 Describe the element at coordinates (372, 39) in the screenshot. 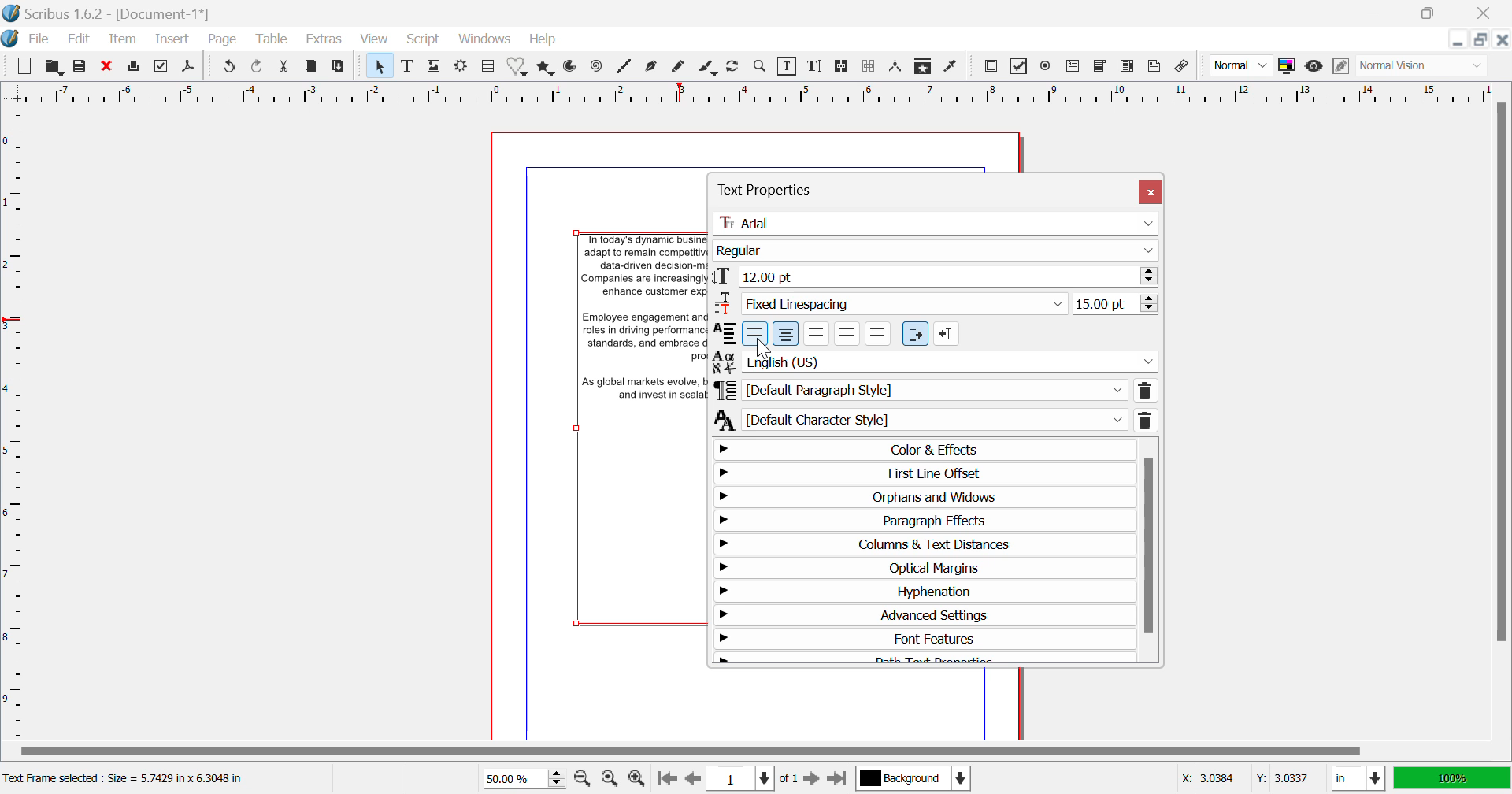

I see `View` at that location.